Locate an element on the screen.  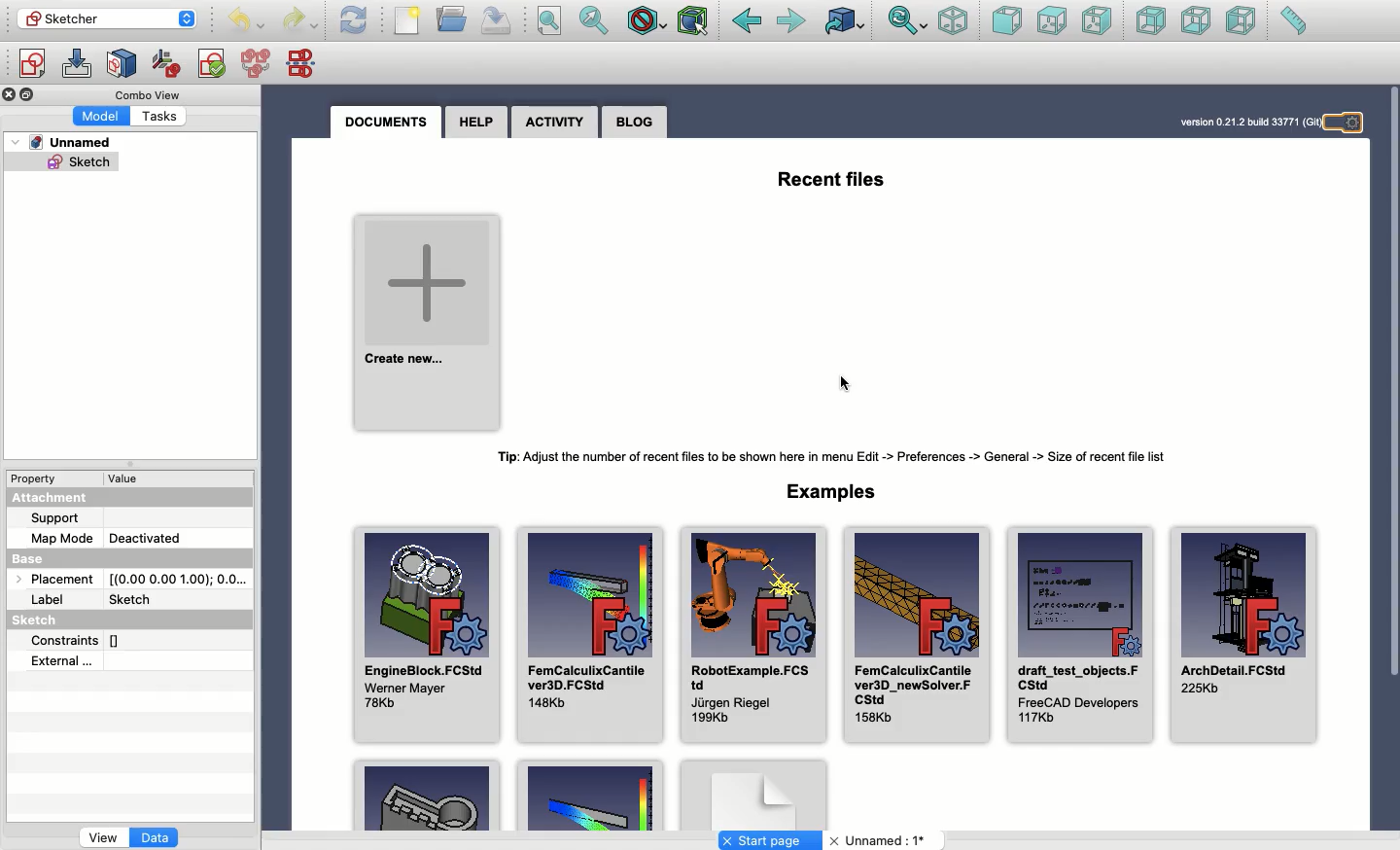
Model is located at coordinates (102, 116).